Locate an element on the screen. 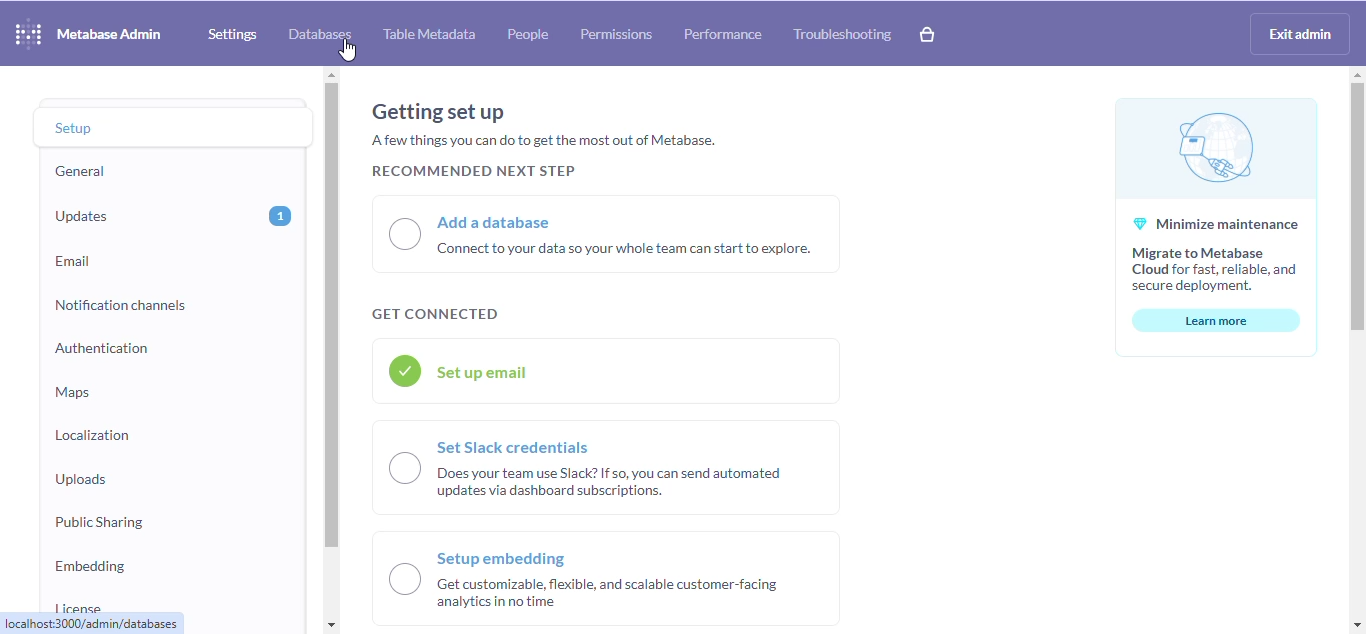  email is located at coordinates (75, 261).